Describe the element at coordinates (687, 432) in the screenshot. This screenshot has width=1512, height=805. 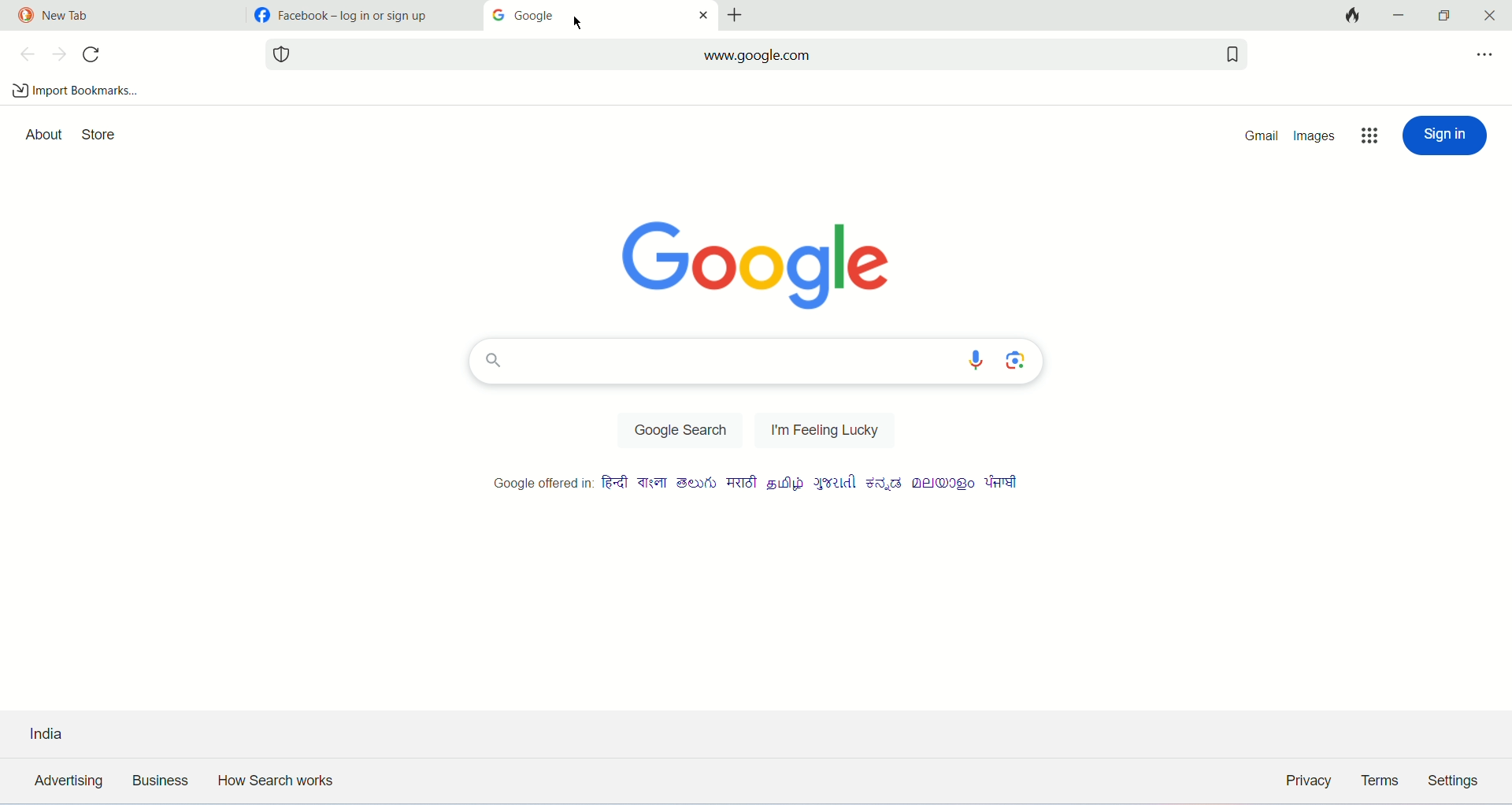
I see `google search` at that location.